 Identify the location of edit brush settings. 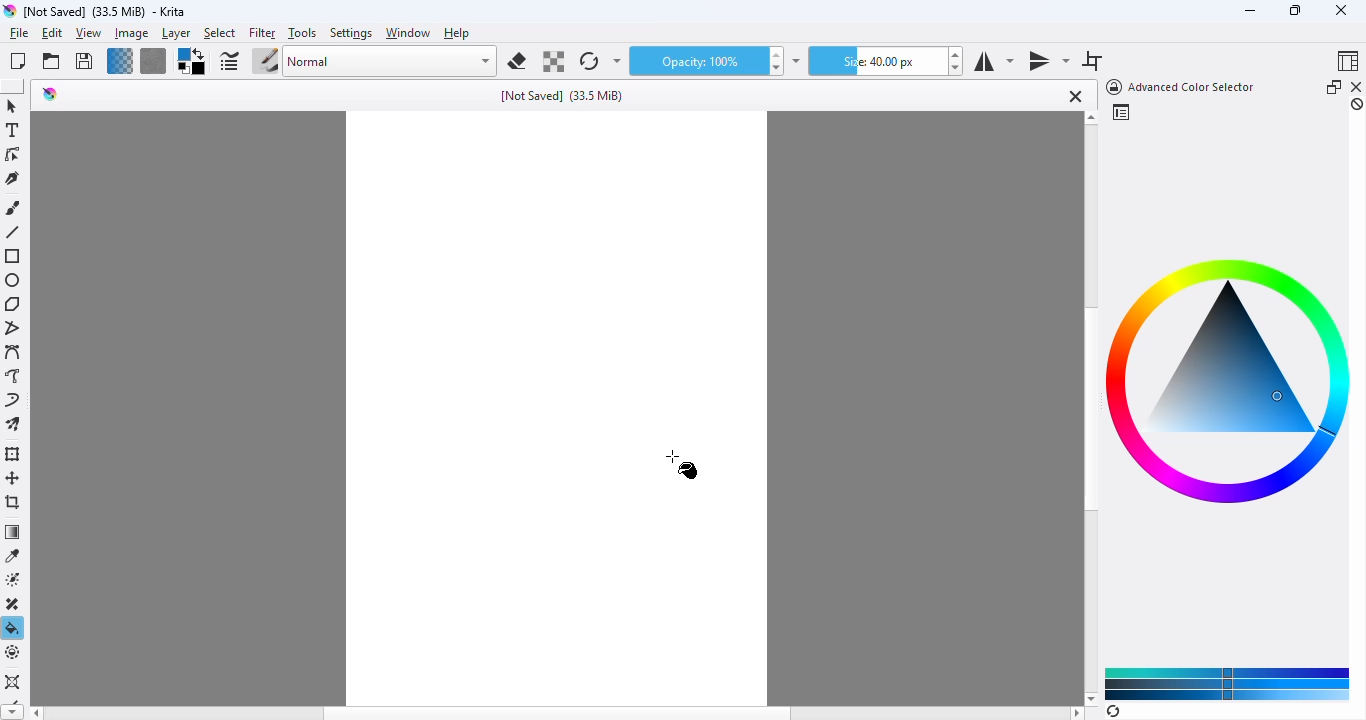
(228, 61).